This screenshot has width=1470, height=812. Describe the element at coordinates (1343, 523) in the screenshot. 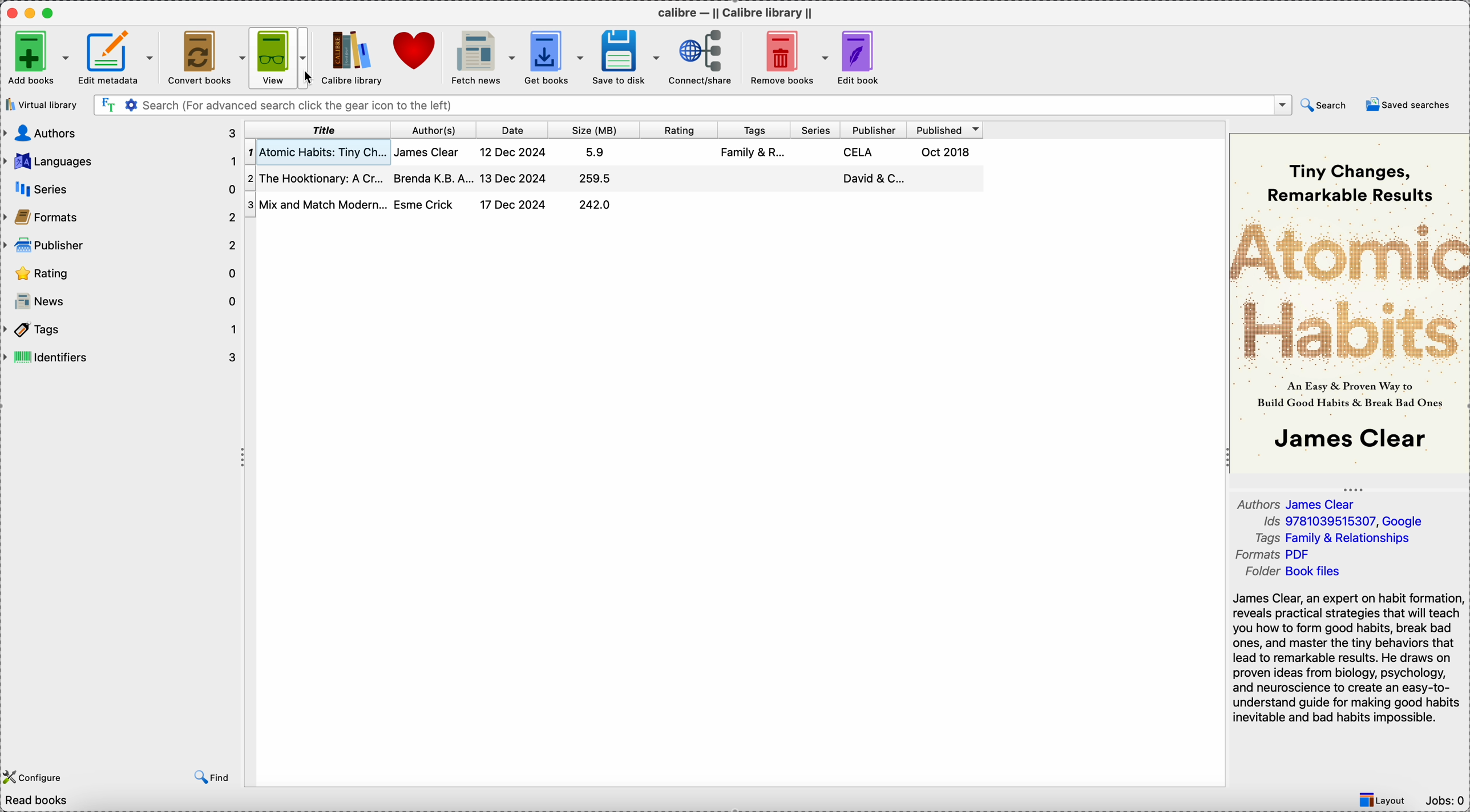

I see `Ids 9781039515307, Google` at that location.